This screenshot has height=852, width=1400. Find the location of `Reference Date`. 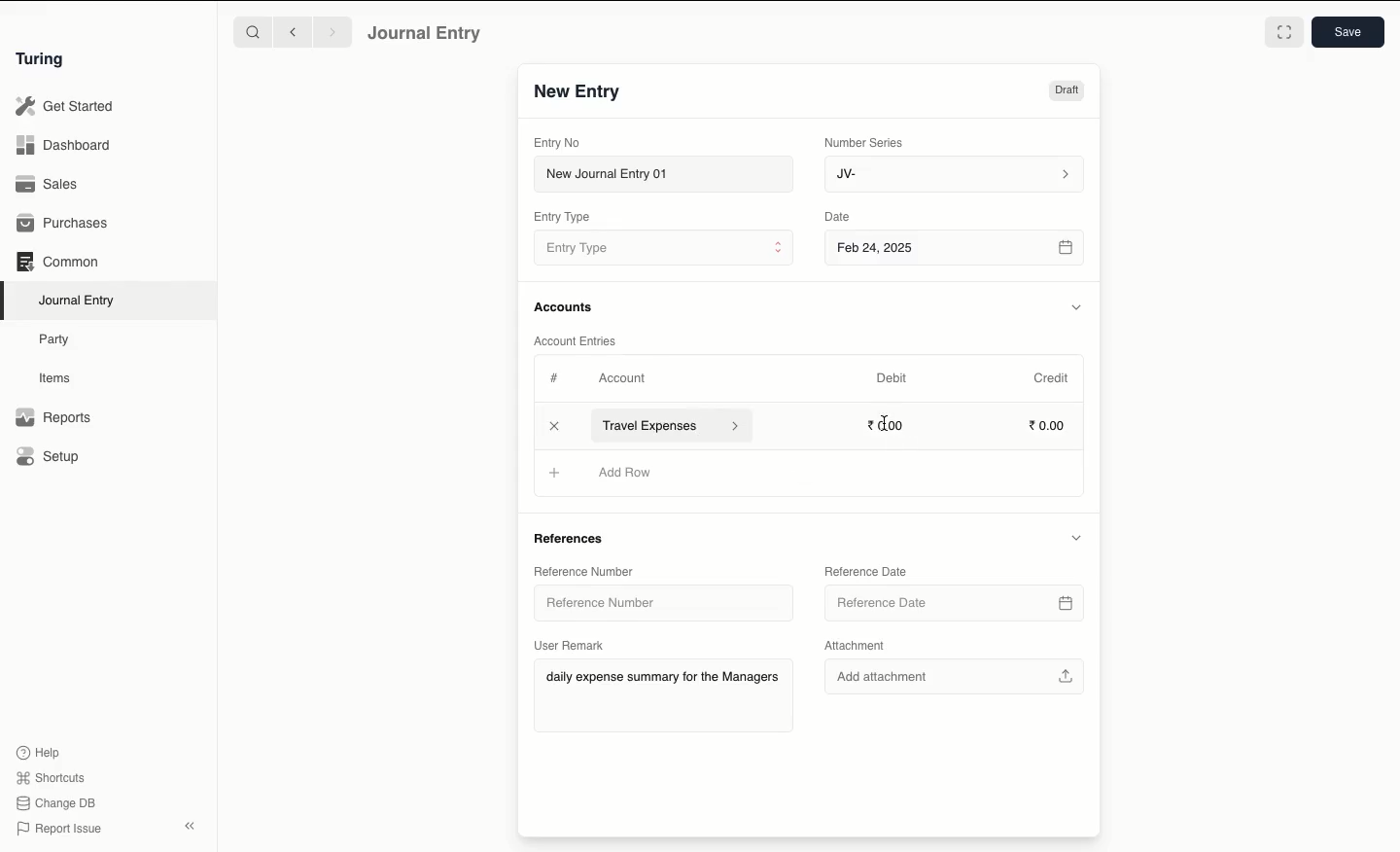

Reference Date is located at coordinates (864, 570).